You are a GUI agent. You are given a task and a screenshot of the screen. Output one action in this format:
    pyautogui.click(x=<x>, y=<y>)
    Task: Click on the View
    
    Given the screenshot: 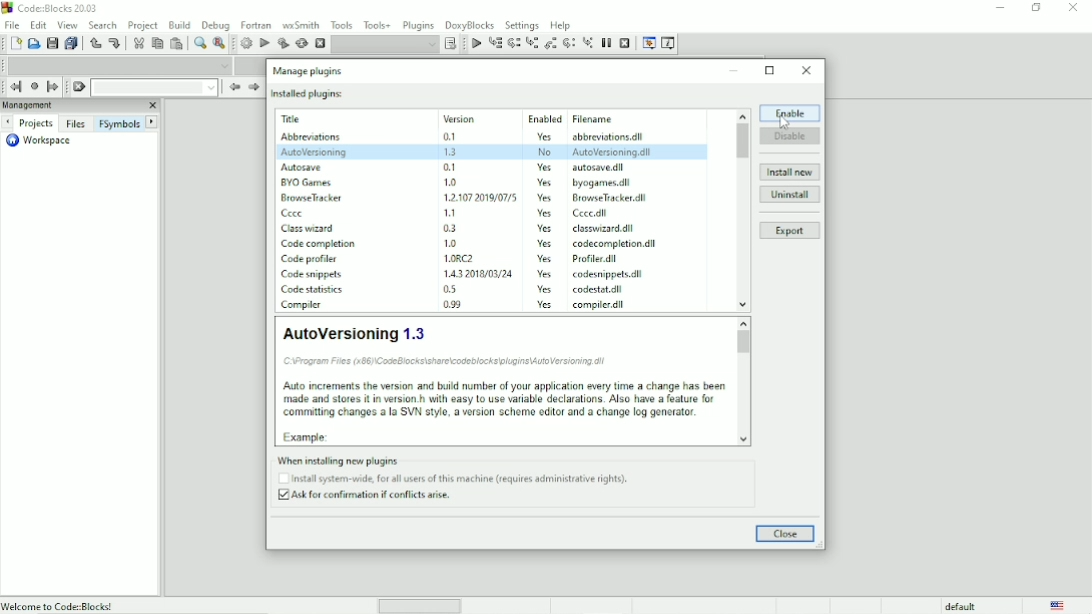 What is the action you would take?
    pyautogui.click(x=67, y=25)
    